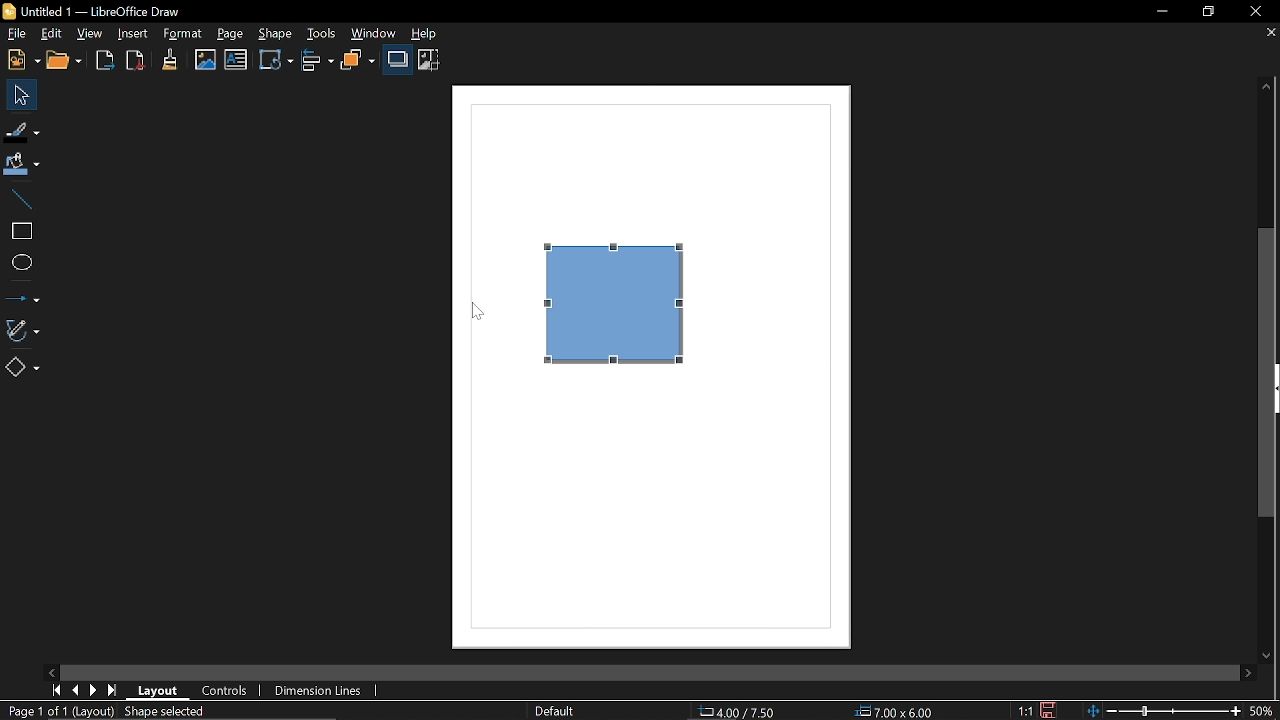  I want to click on Size, so click(895, 711).